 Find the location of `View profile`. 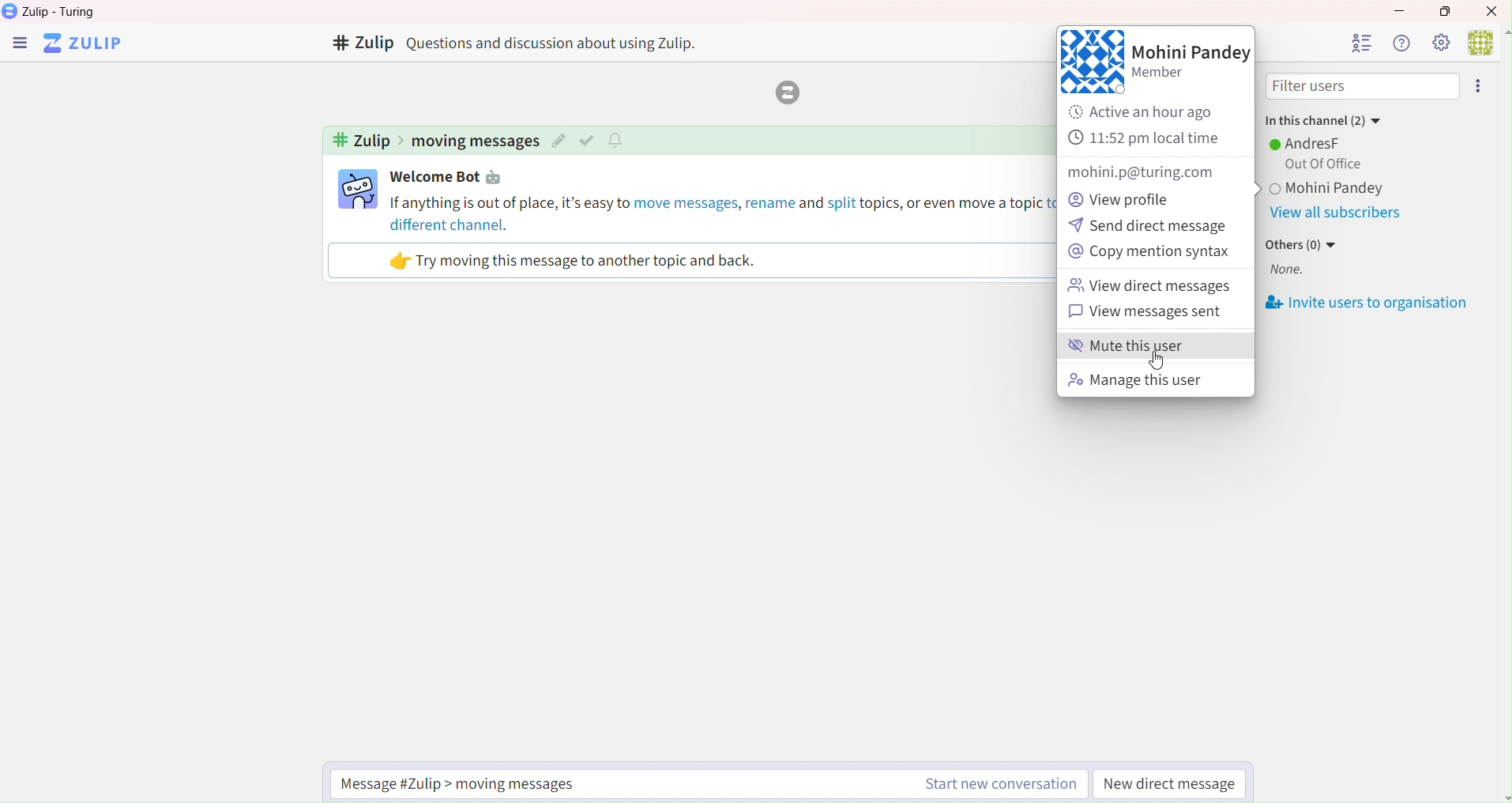

View profile is located at coordinates (1126, 198).